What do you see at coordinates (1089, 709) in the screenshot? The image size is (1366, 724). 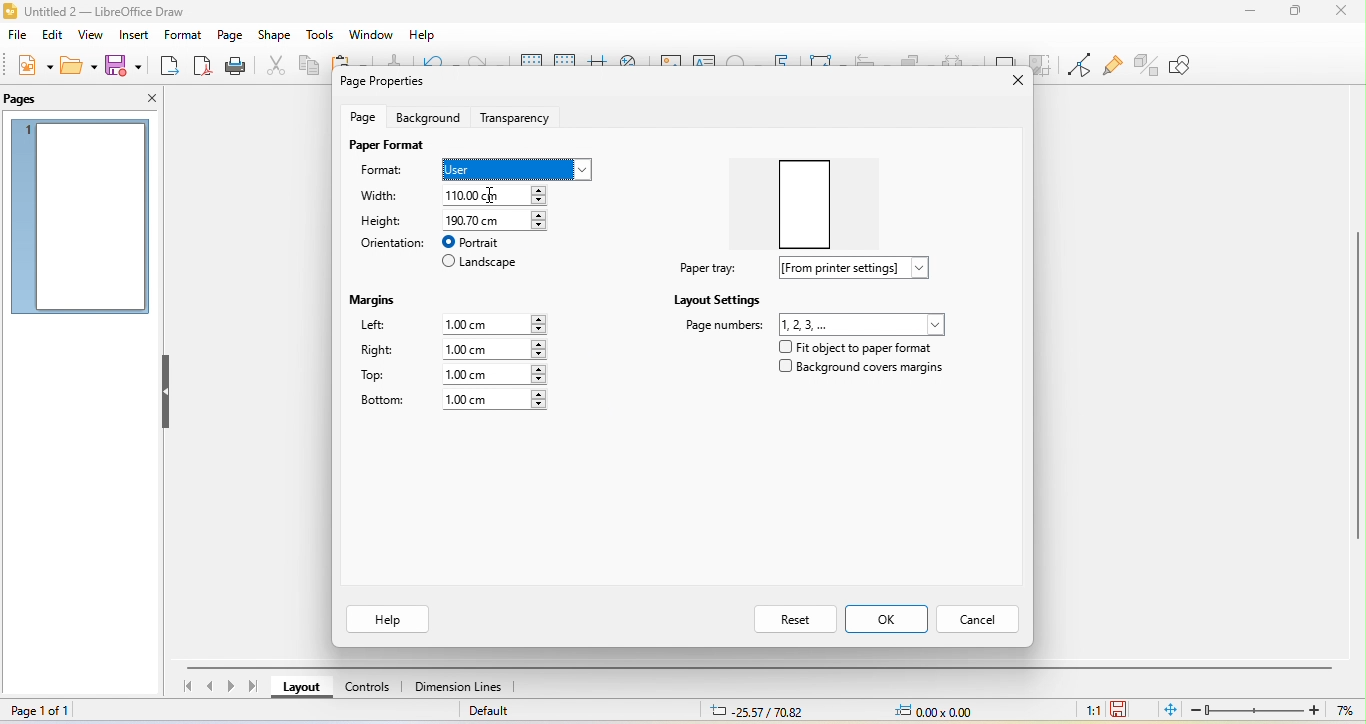 I see `1:1` at bounding box center [1089, 709].